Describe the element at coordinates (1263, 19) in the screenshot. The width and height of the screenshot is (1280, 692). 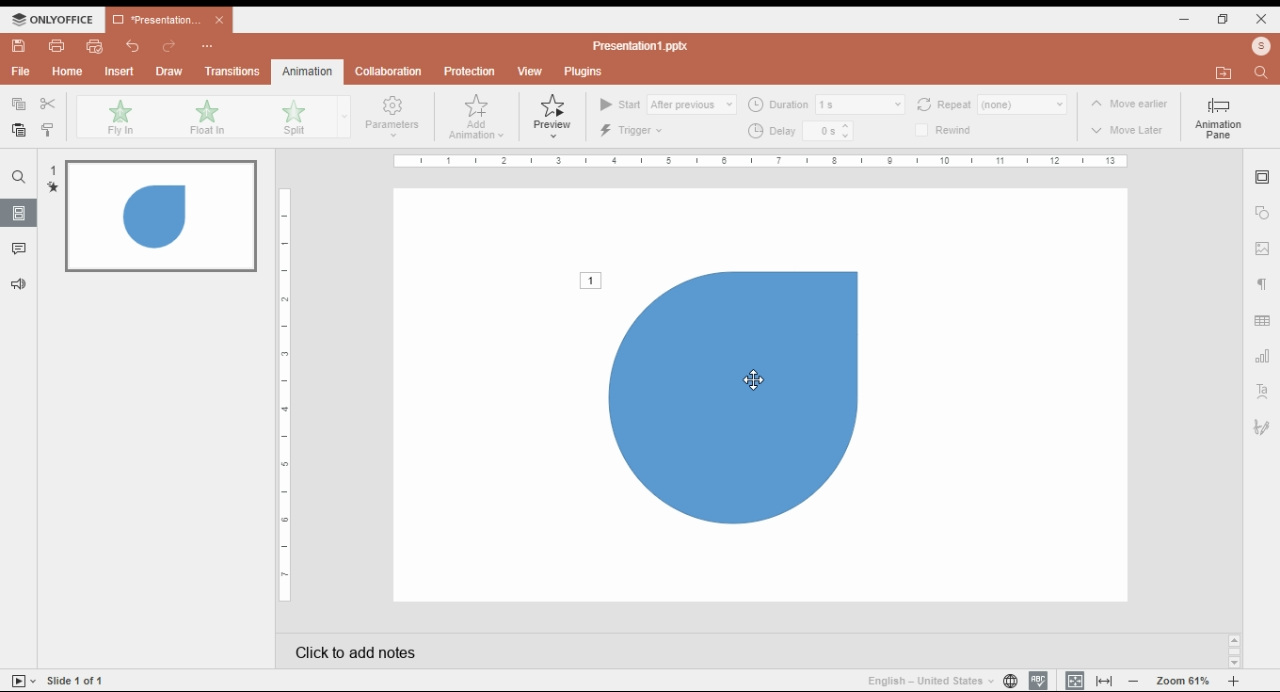
I see `close window` at that location.